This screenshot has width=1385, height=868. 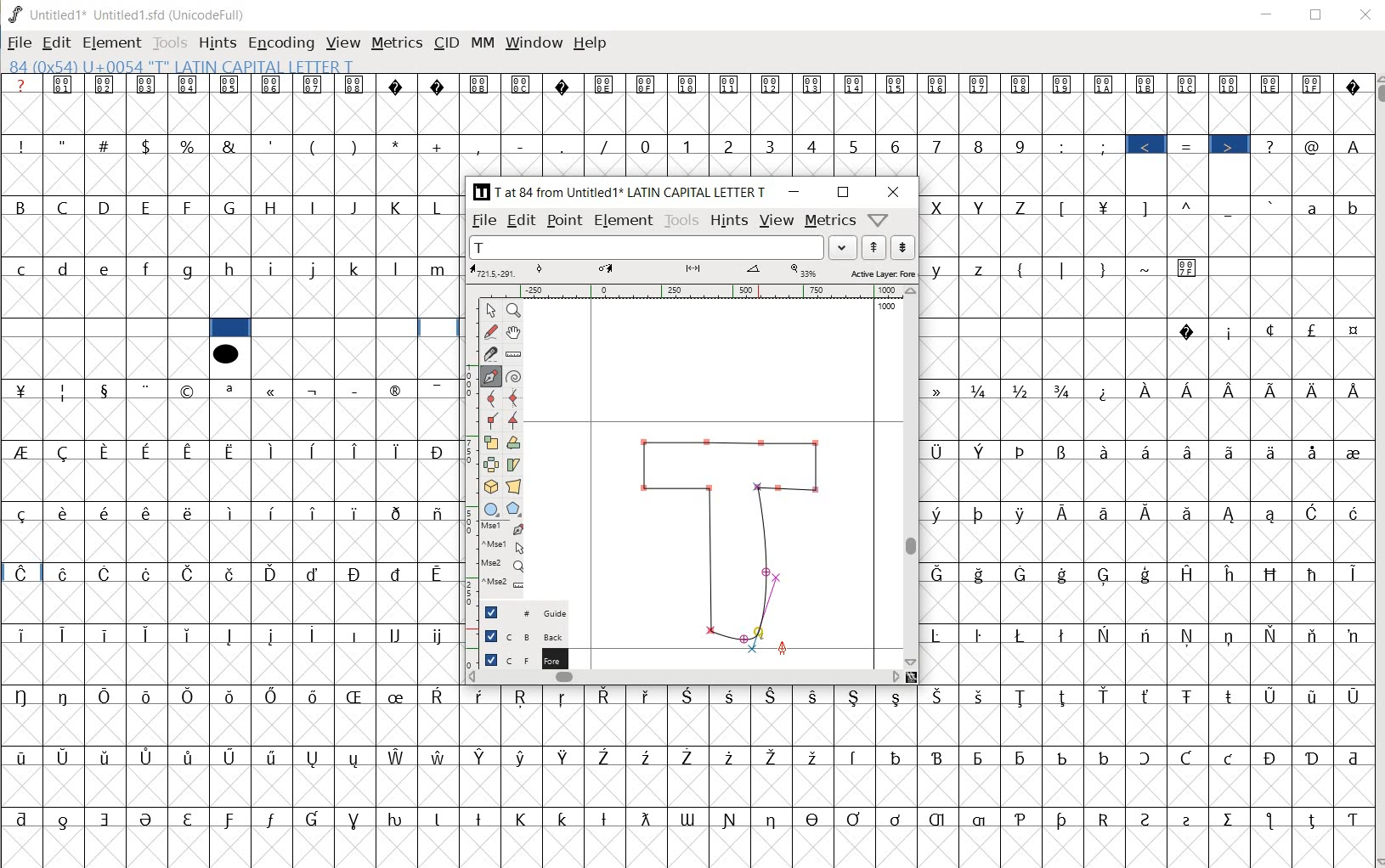 What do you see at coordinates (590, 42) in the screenshot?
I see `help` at bounding box center [590, 42].